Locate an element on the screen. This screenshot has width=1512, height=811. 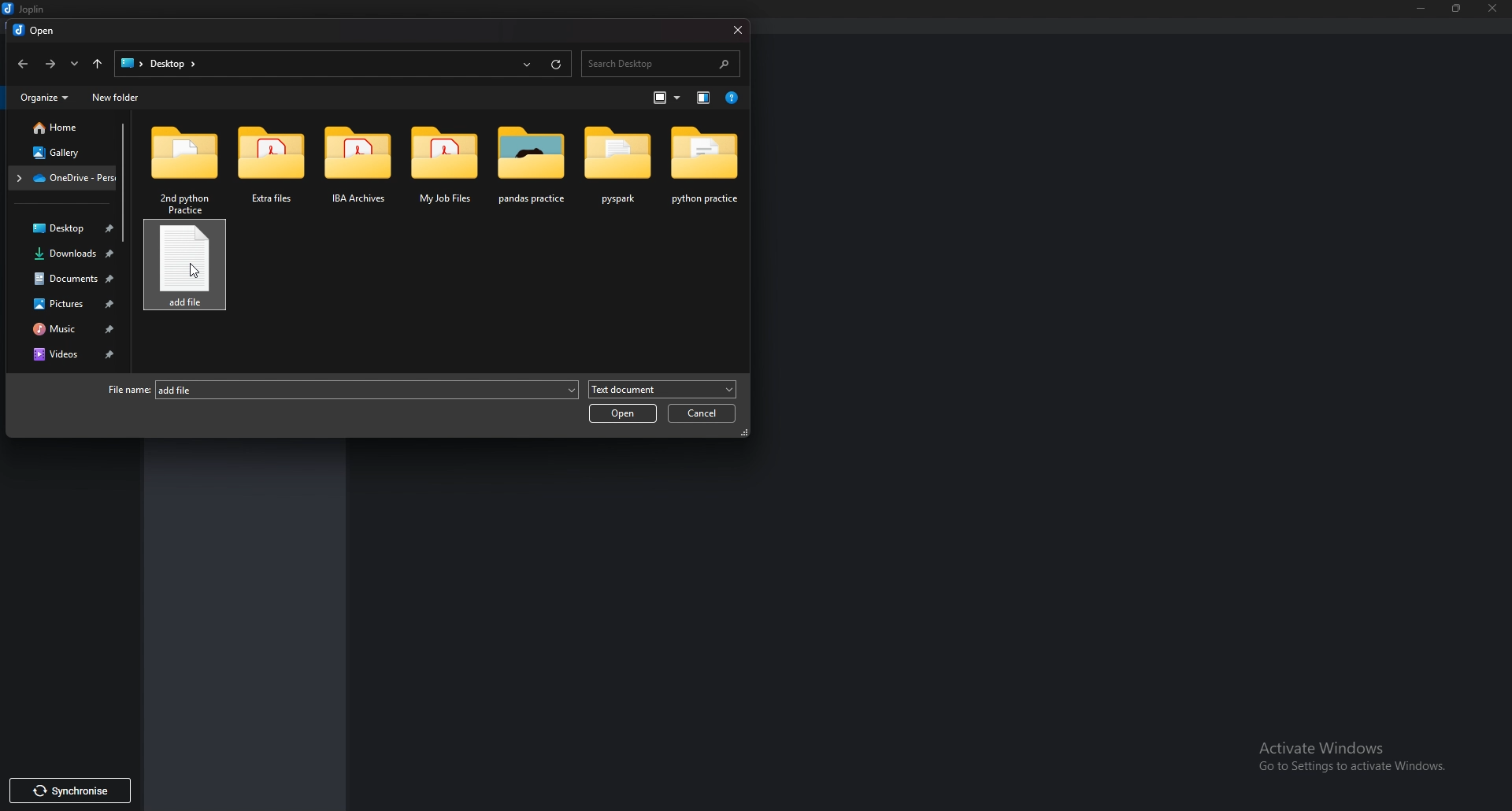
Music is located at coordinates (73, 328).